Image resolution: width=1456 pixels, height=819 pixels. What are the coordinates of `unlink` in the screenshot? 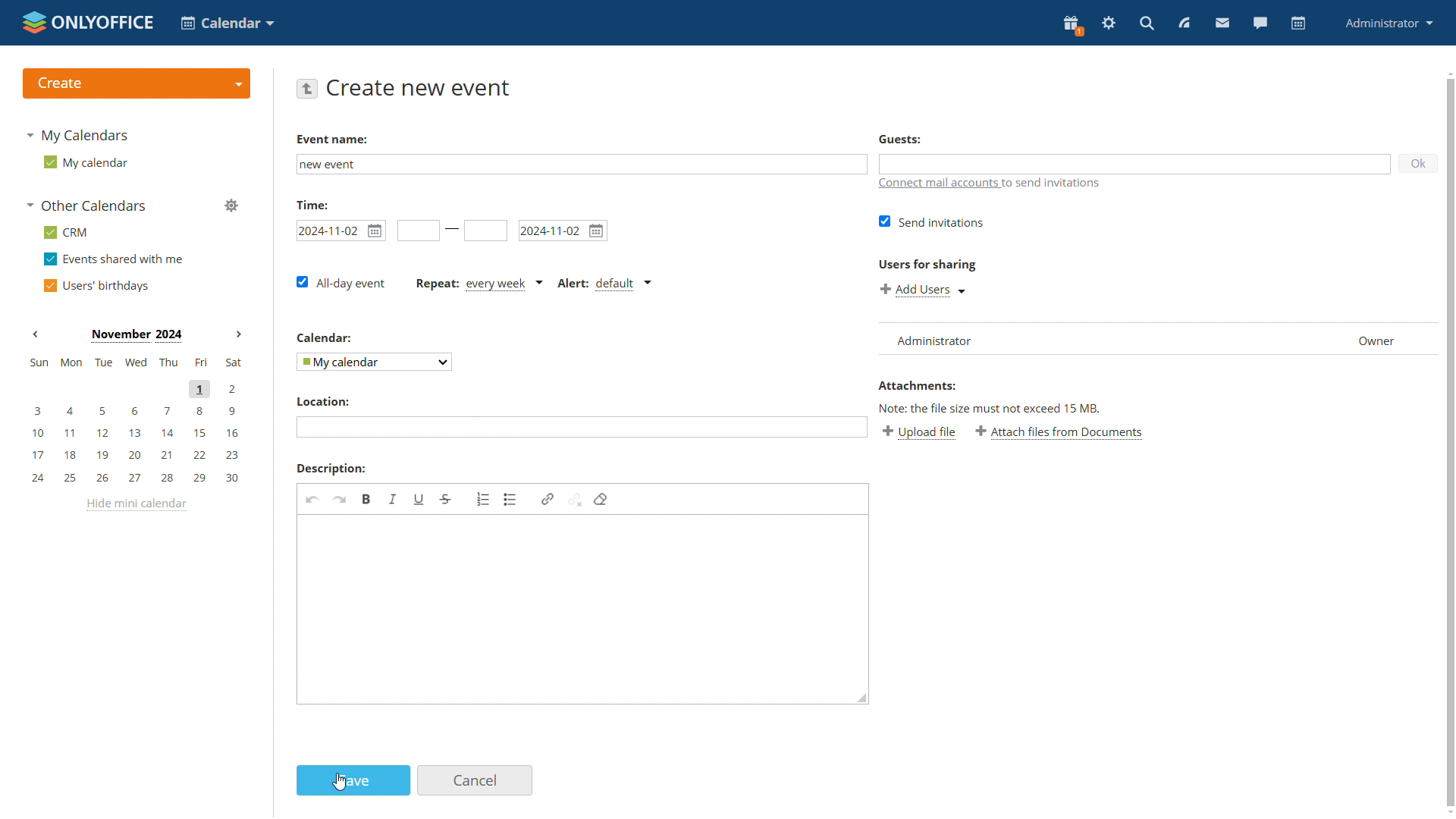 It's located at (576, 500).